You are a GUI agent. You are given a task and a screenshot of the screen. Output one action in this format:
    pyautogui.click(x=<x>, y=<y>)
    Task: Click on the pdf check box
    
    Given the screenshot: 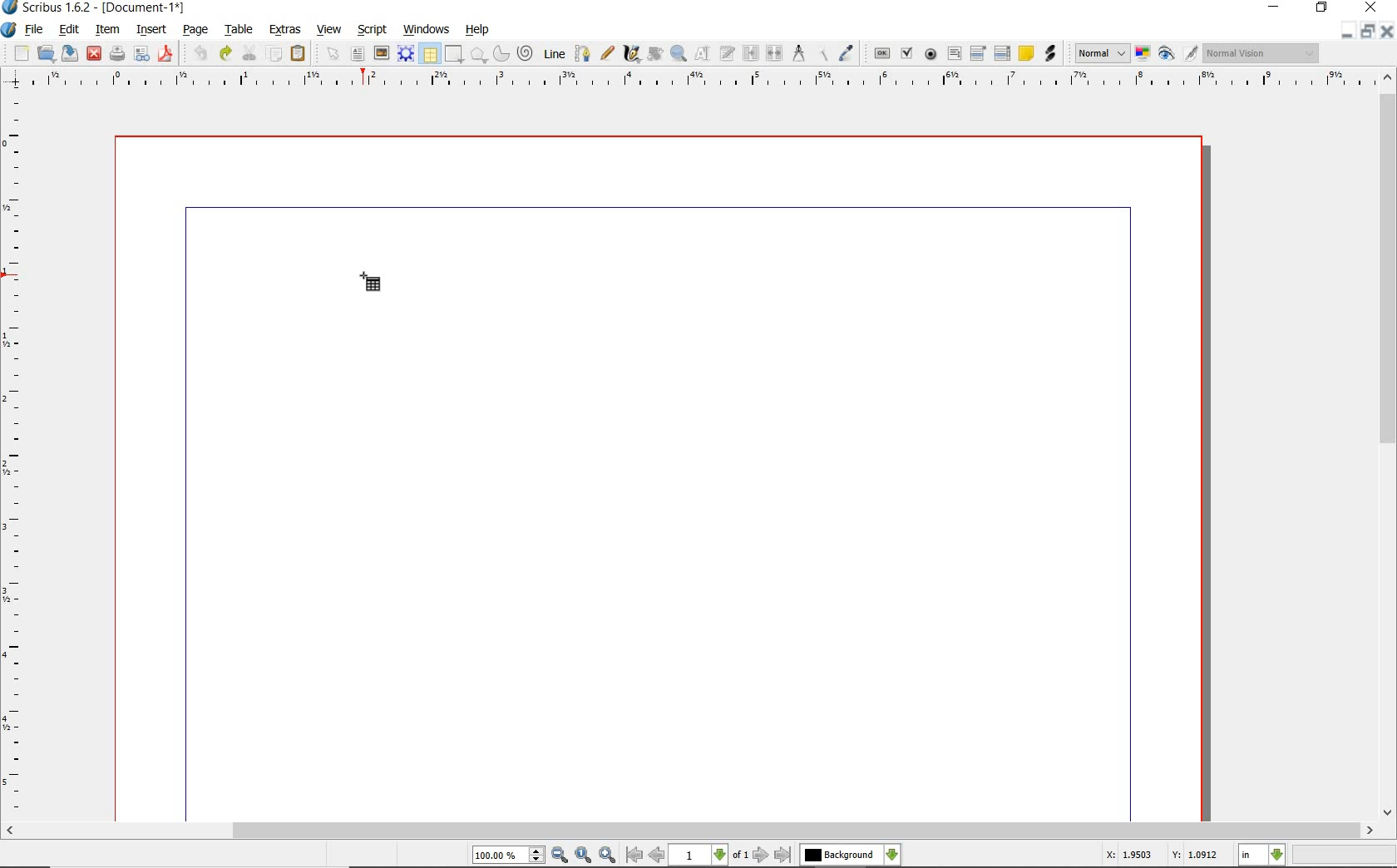 What is the action you would take?
    pyautogui.click(x=909, y=55)
    